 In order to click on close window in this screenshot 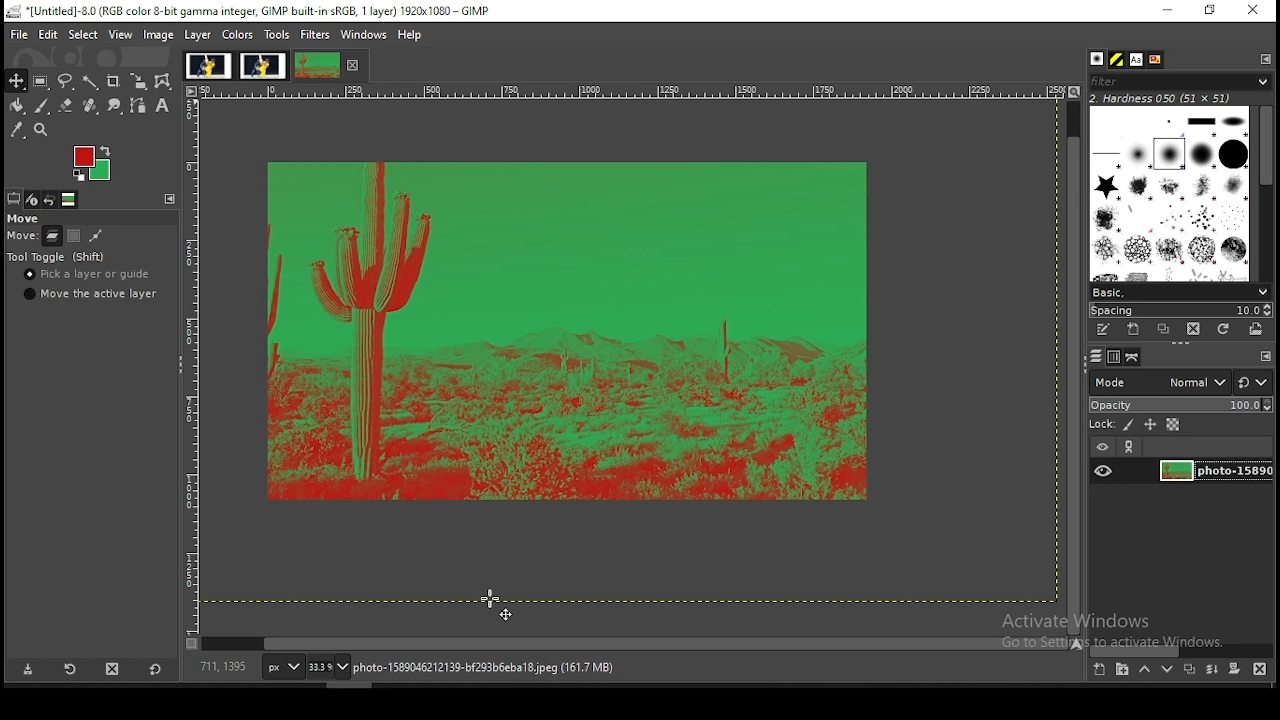, I will do `click(1252, 10)`.